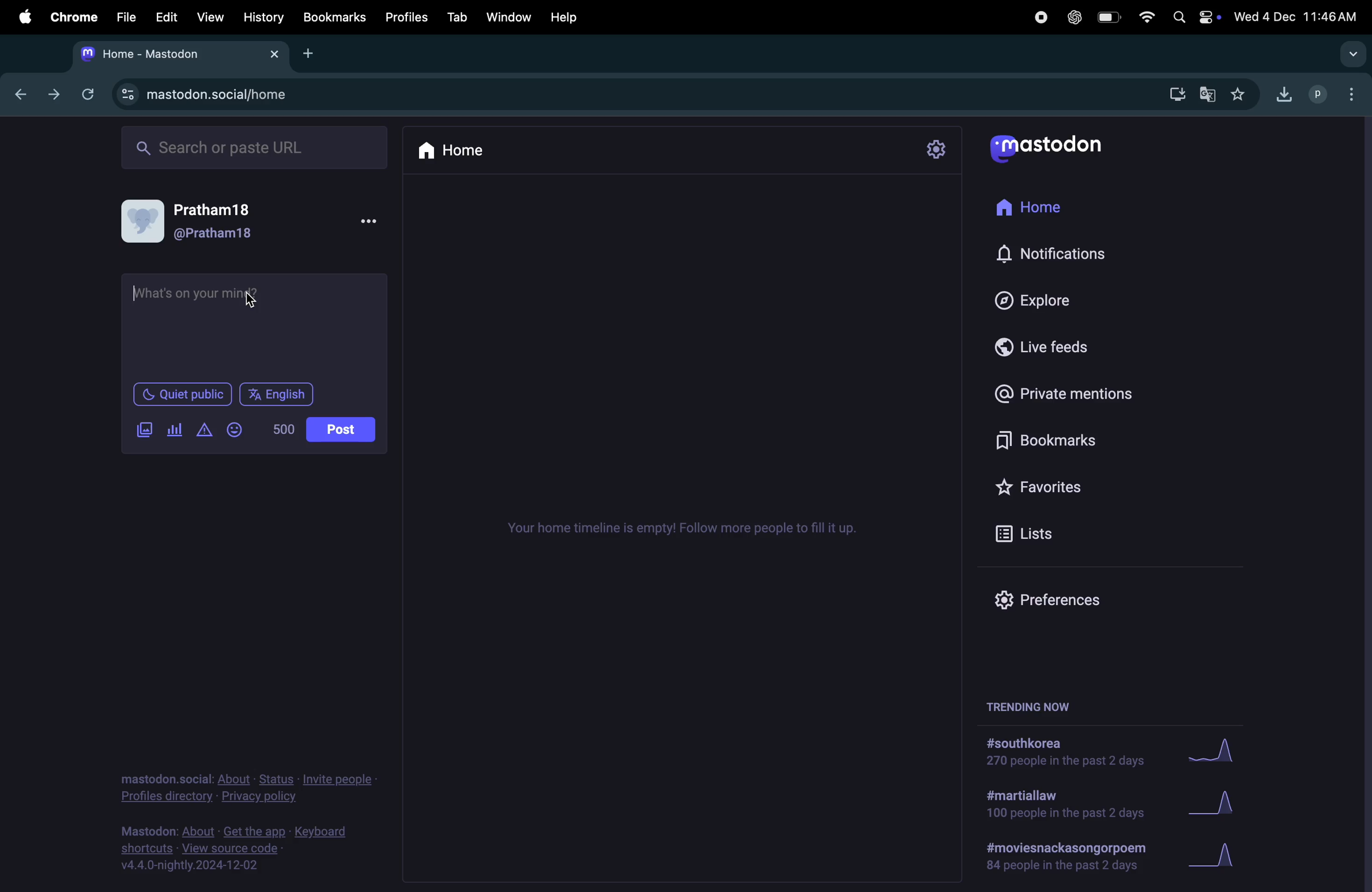 This screenshot has height=892, width=1372. What do you see at coordinates (214, 96) in the screenshot?
I see `mastodon social` at bounding box center [214, 96].